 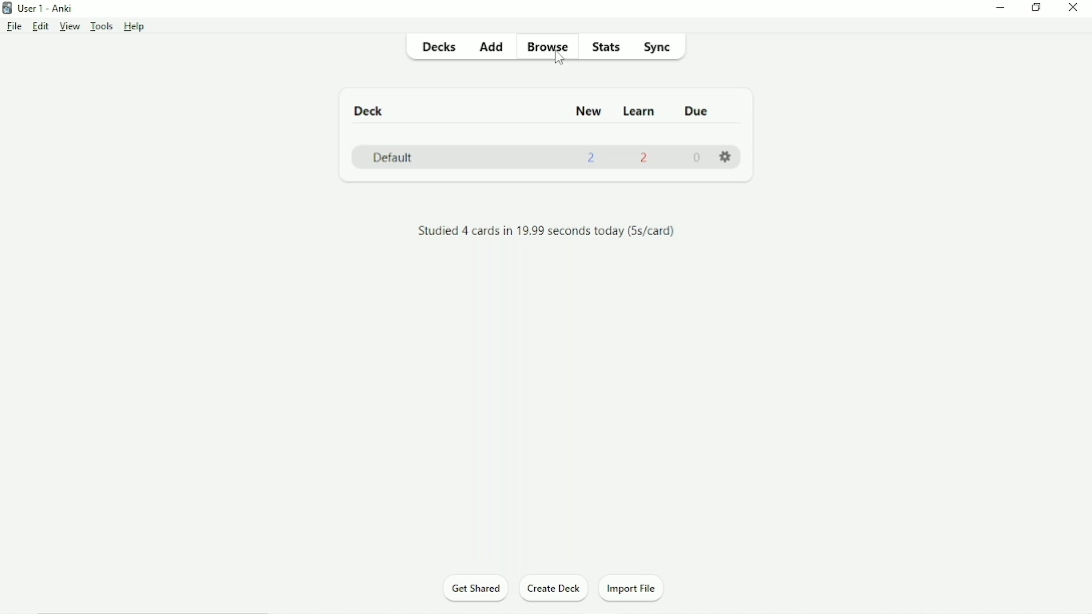 What do you see at coordinates (1001, 8) in the screenshot?
I see `Minimize` at bounding box center [1001, 8].